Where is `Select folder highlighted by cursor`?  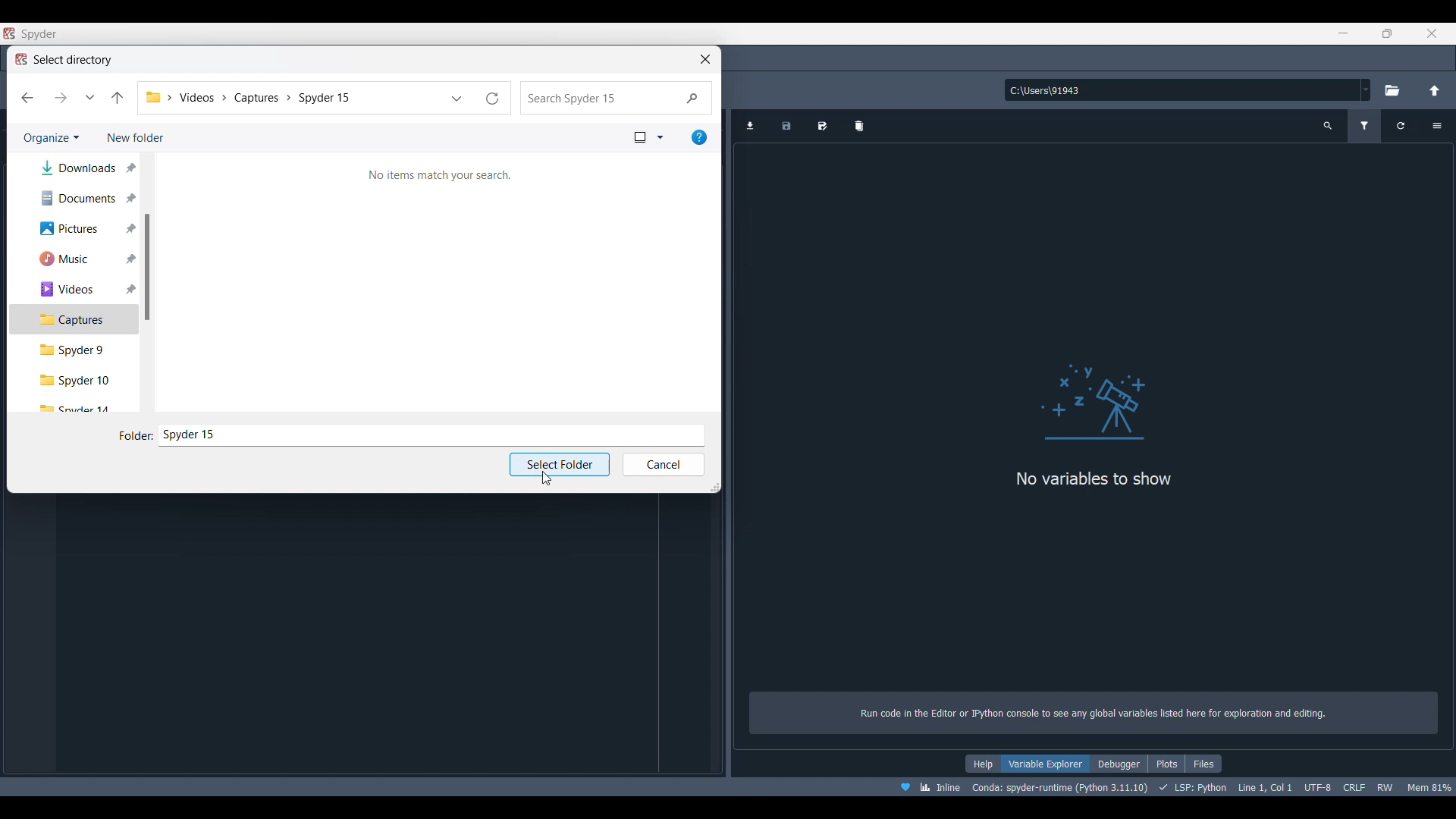
Select folder highlighted by cursor is located at coordinates (560, 464).